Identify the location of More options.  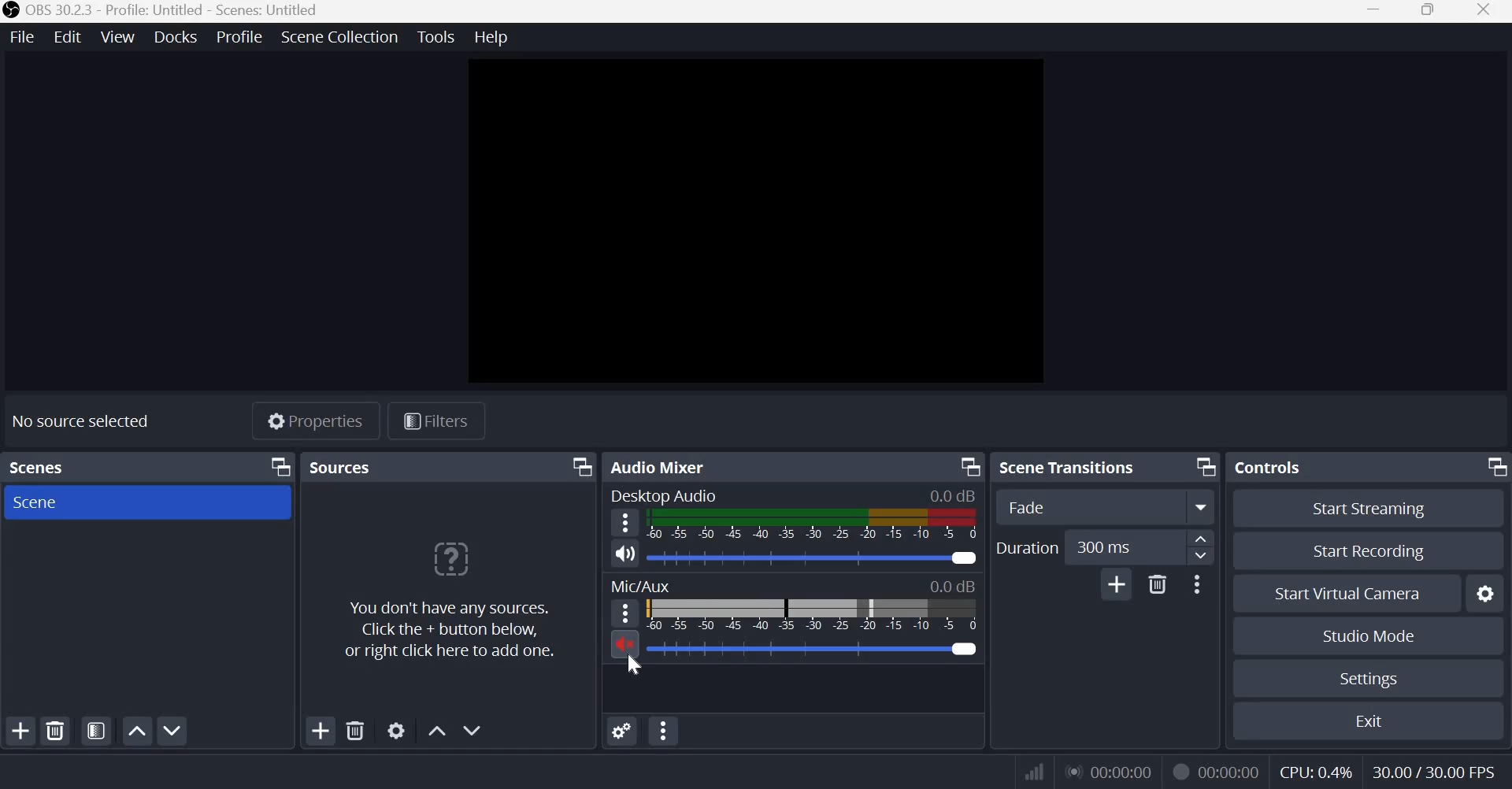
(1202, 506).